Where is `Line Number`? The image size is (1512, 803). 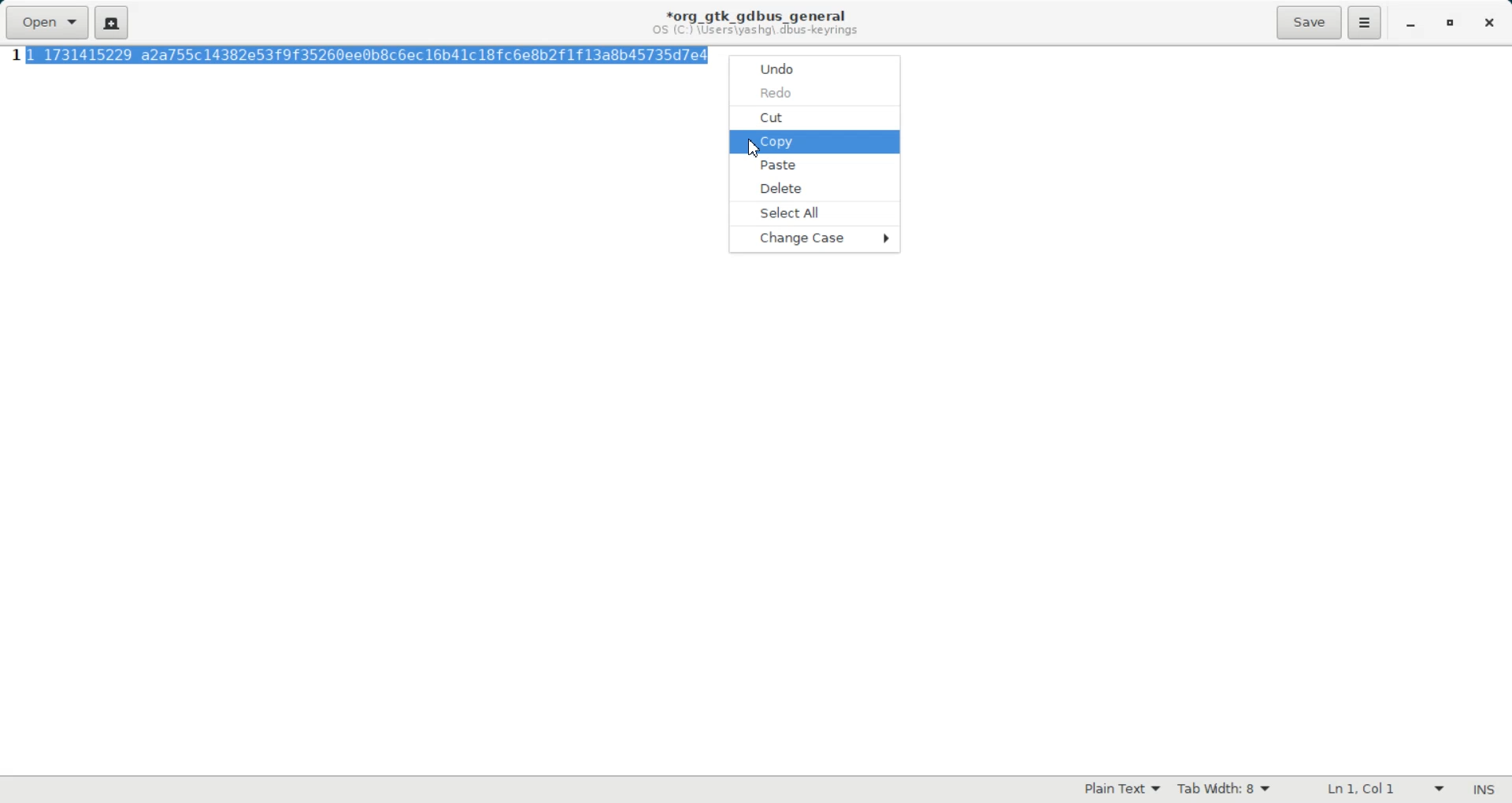 Line Number is located at coordinates (14, 56).